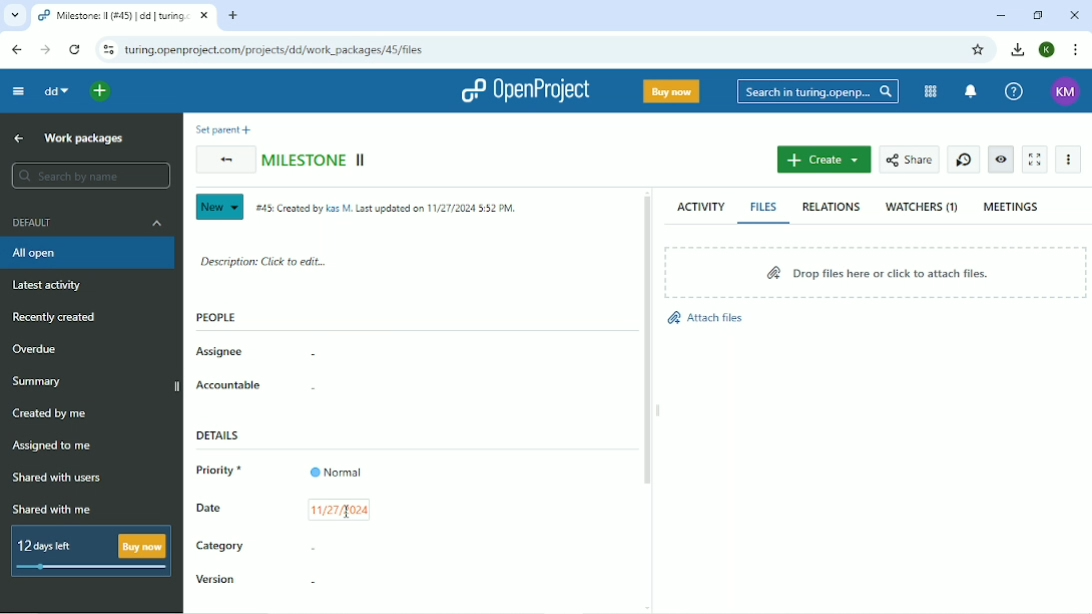 The width and height of the screenshot is (1092, 614). What do you see at coordinates (51, 447) in the screenshot?
I see `Assigned to me` at bounding box center [51, 447].